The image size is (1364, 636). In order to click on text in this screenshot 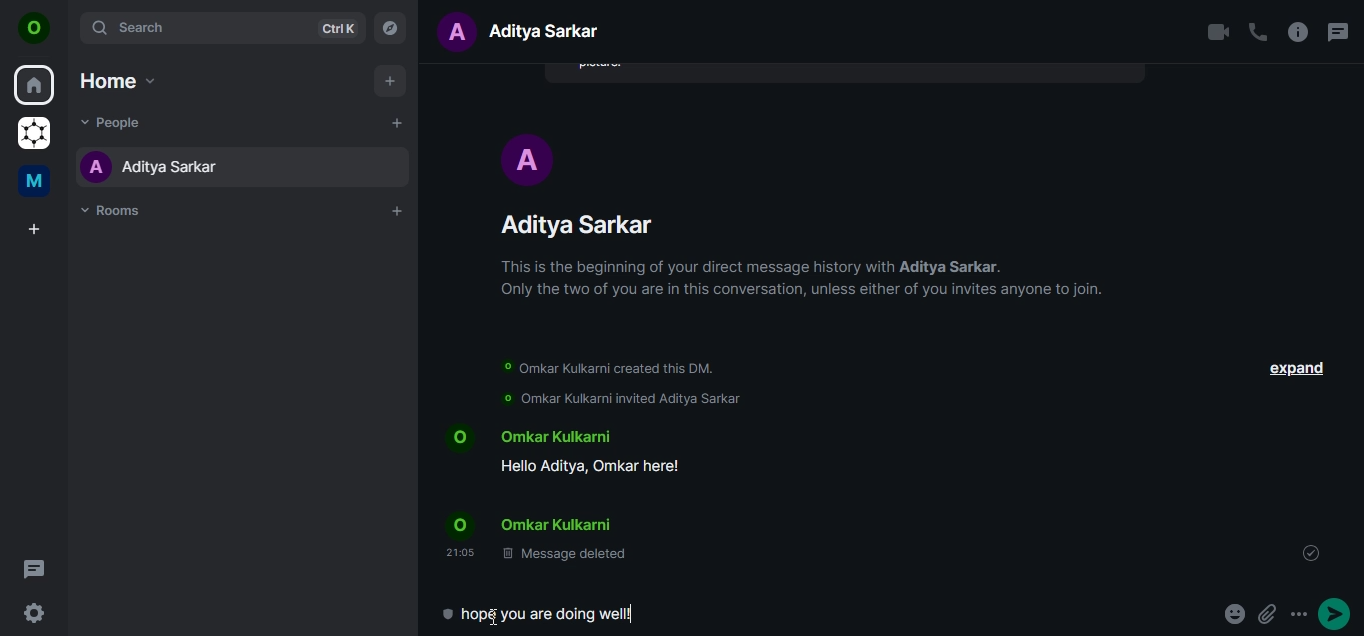, I will do `click(558, 613)`.